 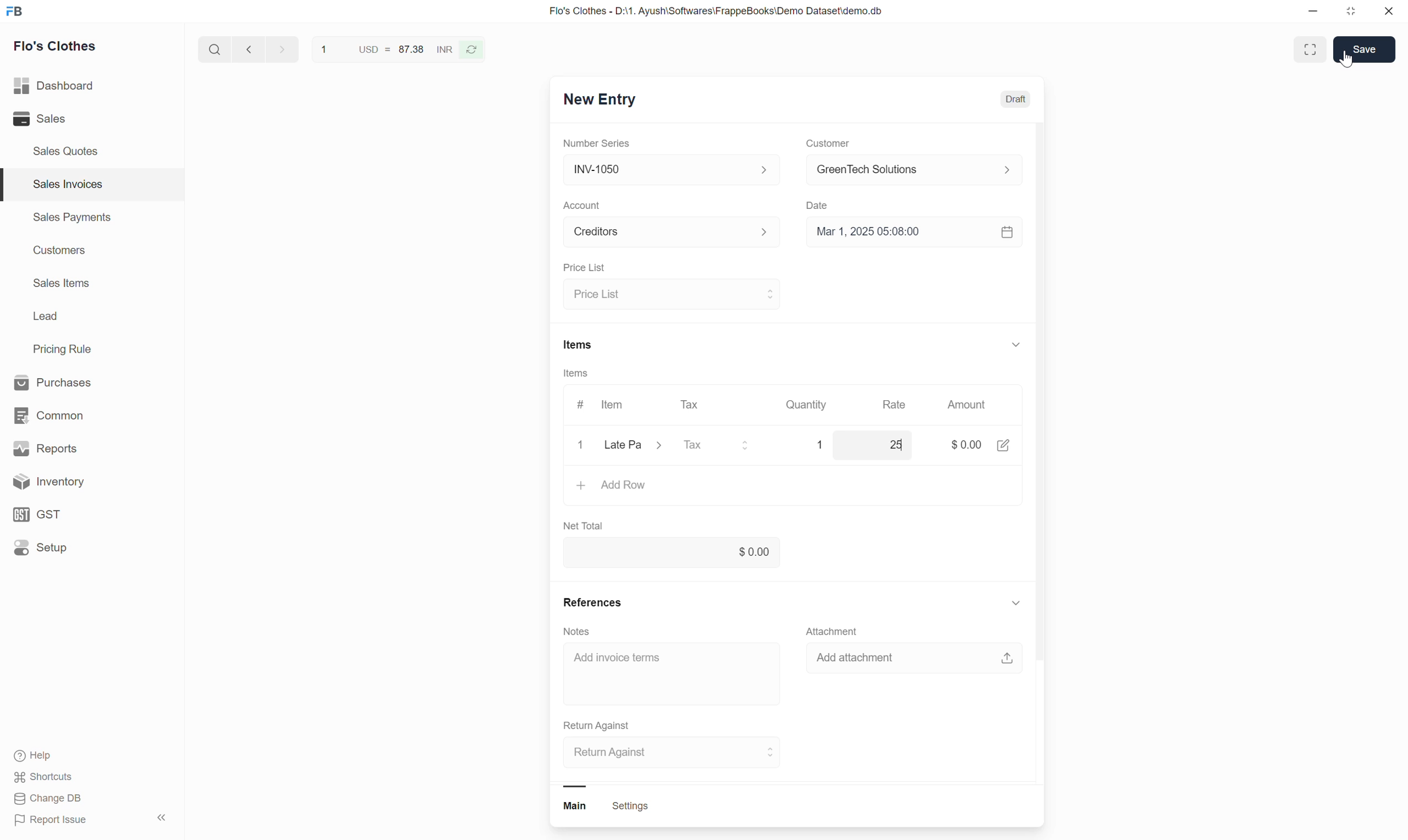 I want to click on Number Series, so click(x=598, y=144).